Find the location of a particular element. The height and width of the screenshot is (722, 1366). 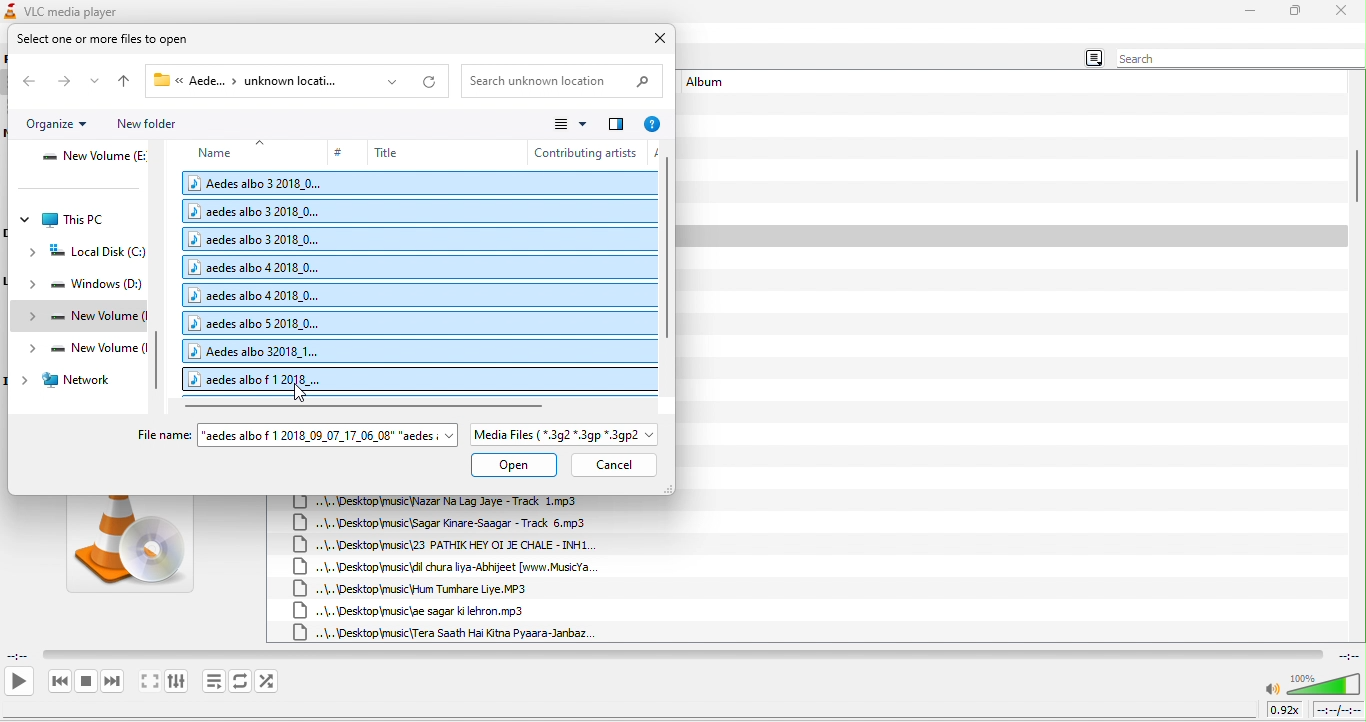

maximize is located at coordinates (1296, 12).